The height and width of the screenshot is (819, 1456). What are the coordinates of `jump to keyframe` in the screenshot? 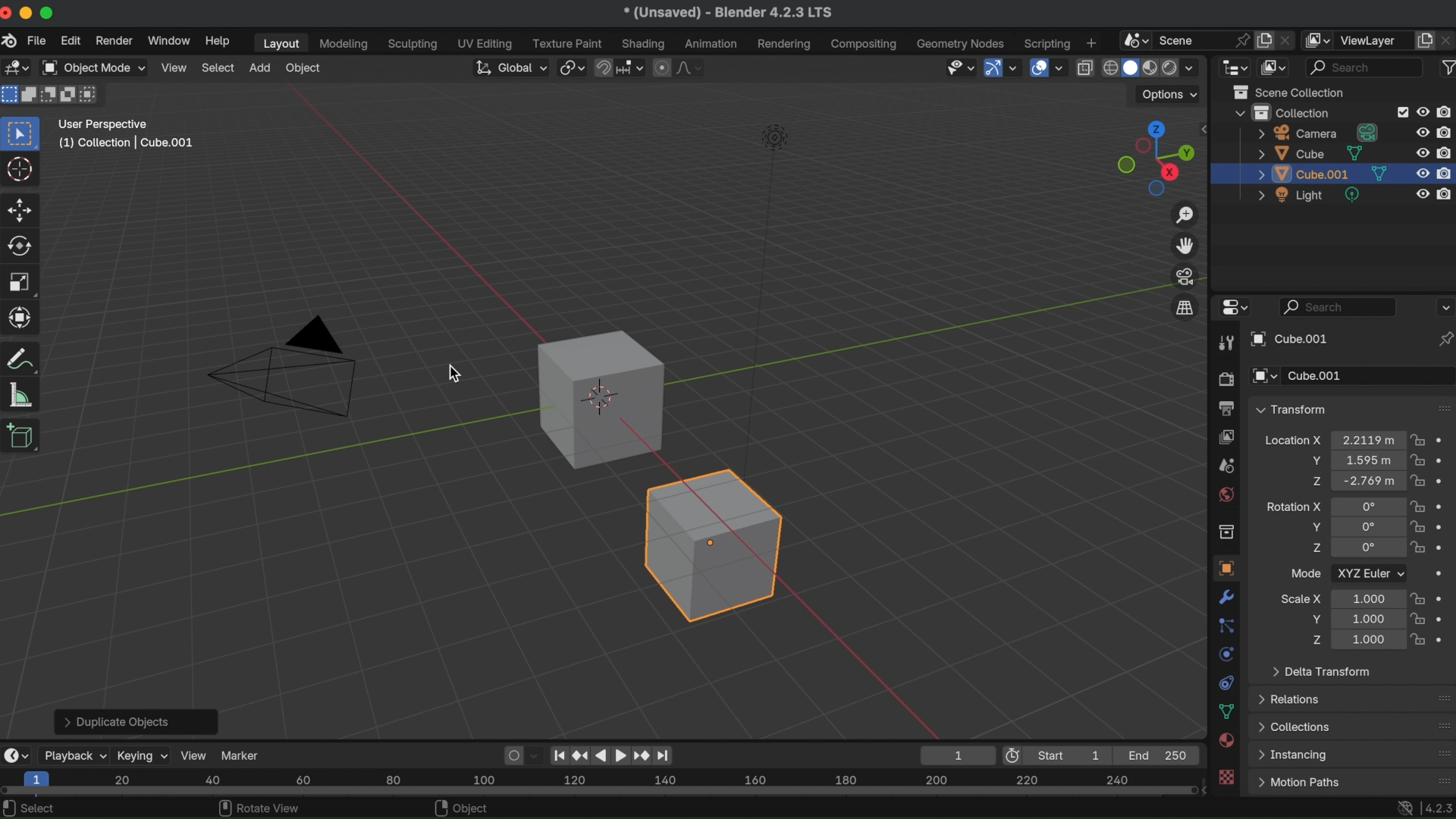 It's located at (581, 752).